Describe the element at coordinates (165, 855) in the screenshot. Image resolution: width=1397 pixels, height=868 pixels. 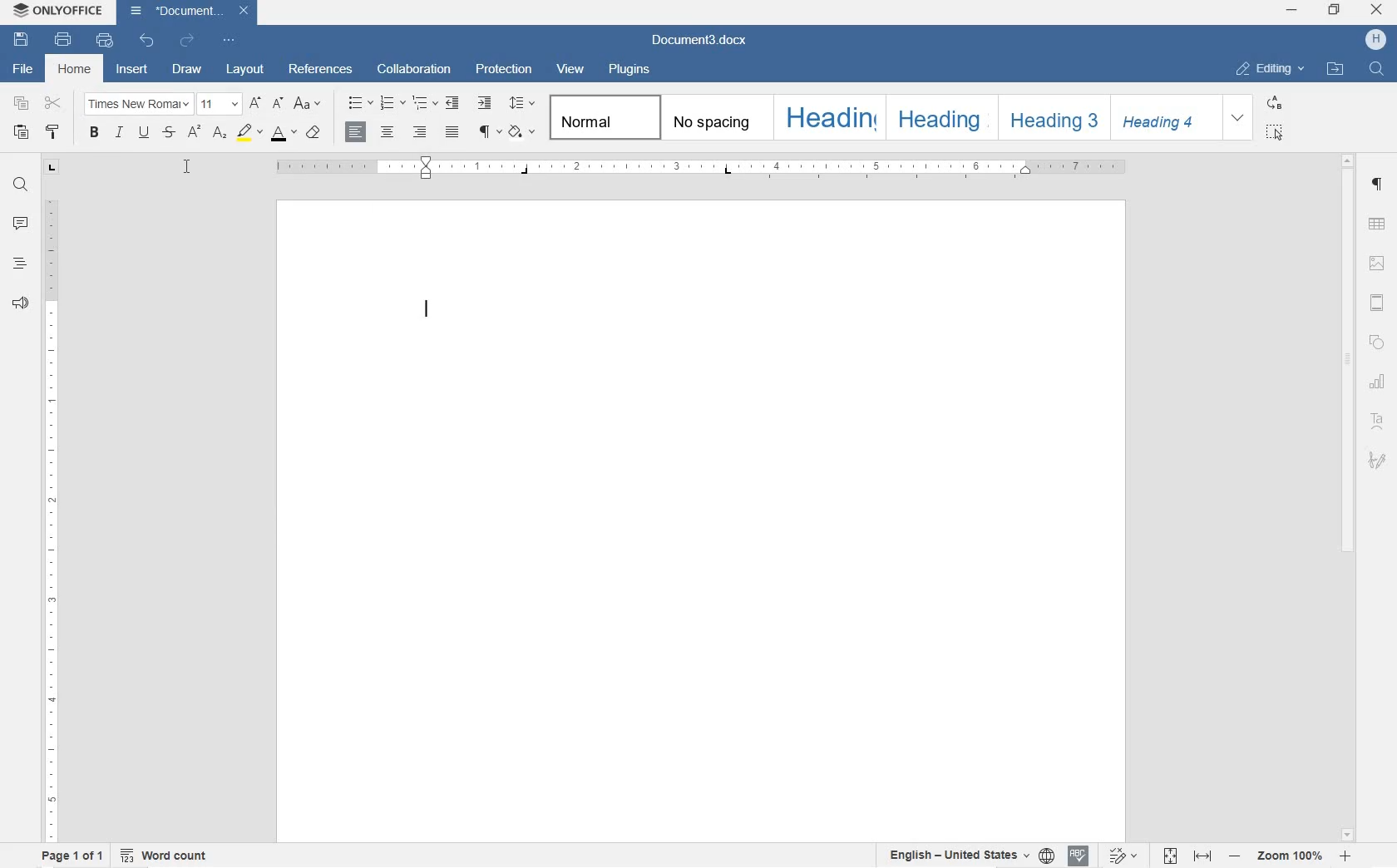
I see `WORD COUNT` at that location.